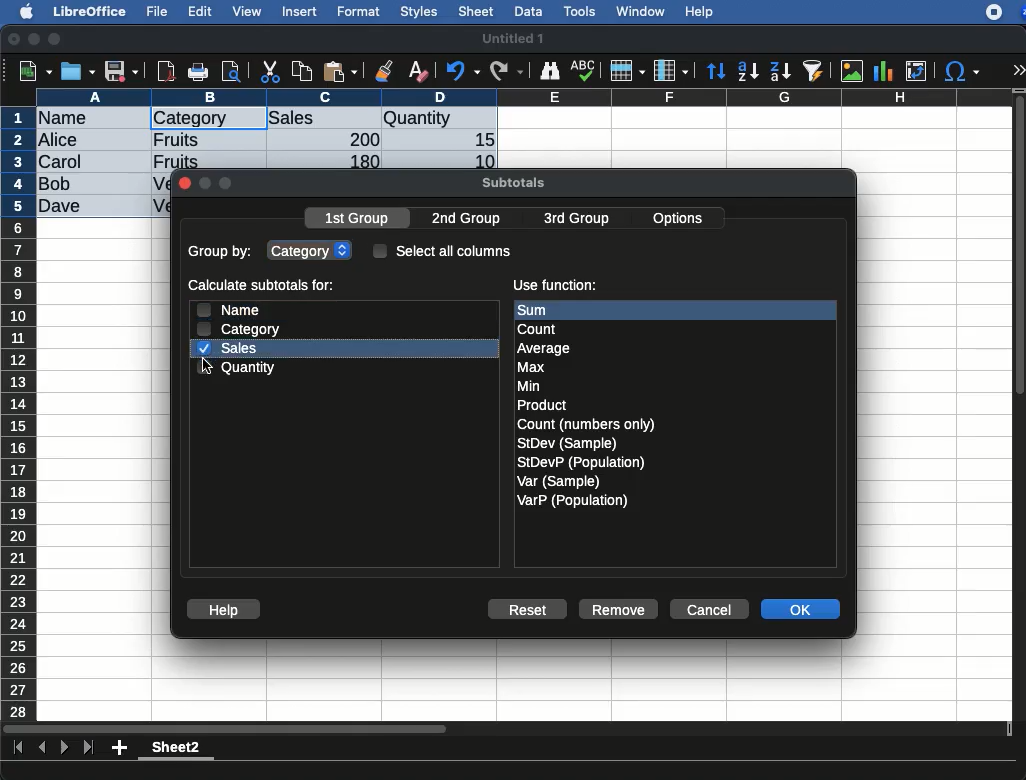  What do you see at coordinates (247, 11) in the screenshot?
I see `view` at bounding box center [247, 11].